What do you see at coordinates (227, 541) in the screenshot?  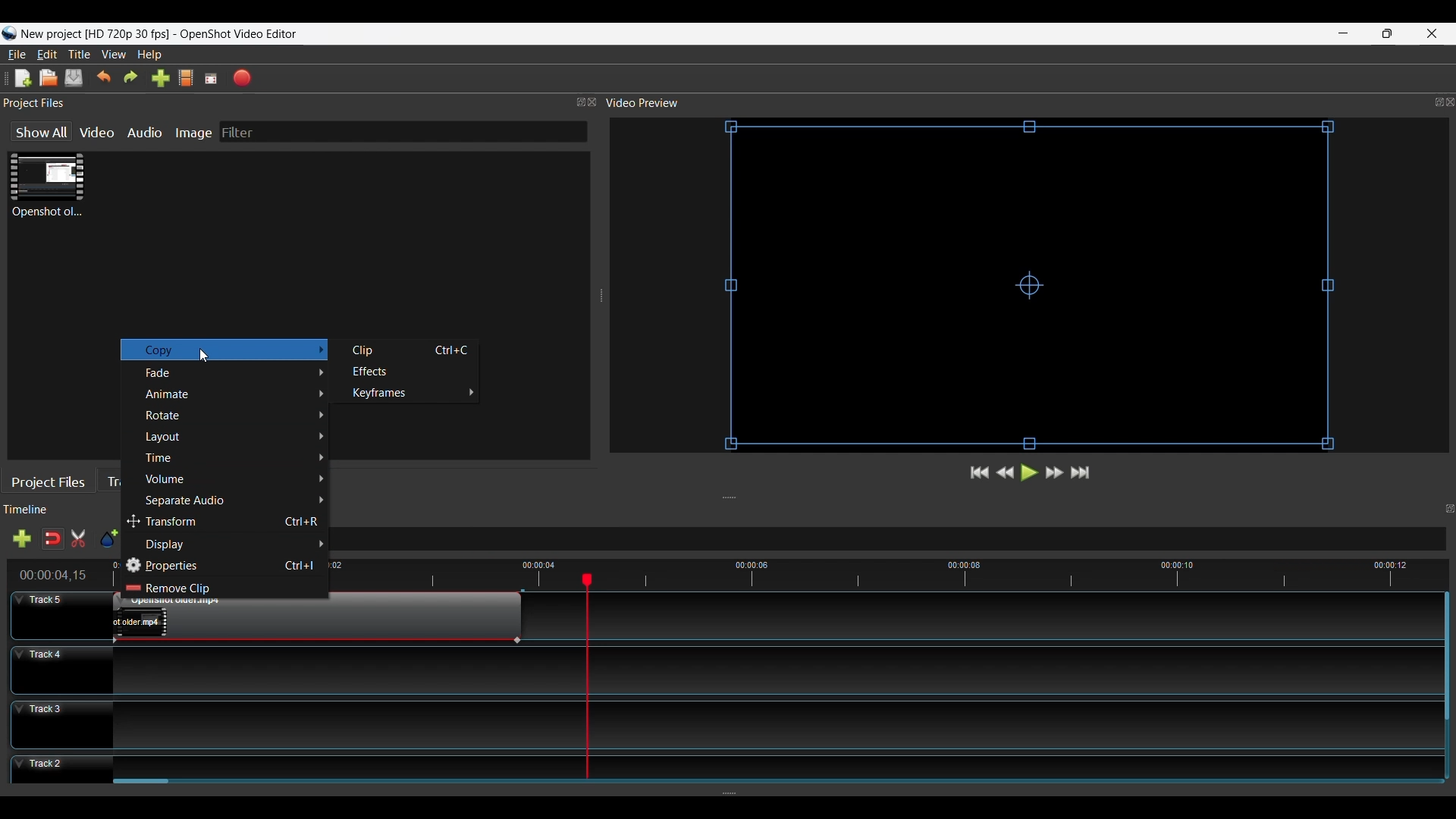 I see `display` at bounding box center [227, 541].